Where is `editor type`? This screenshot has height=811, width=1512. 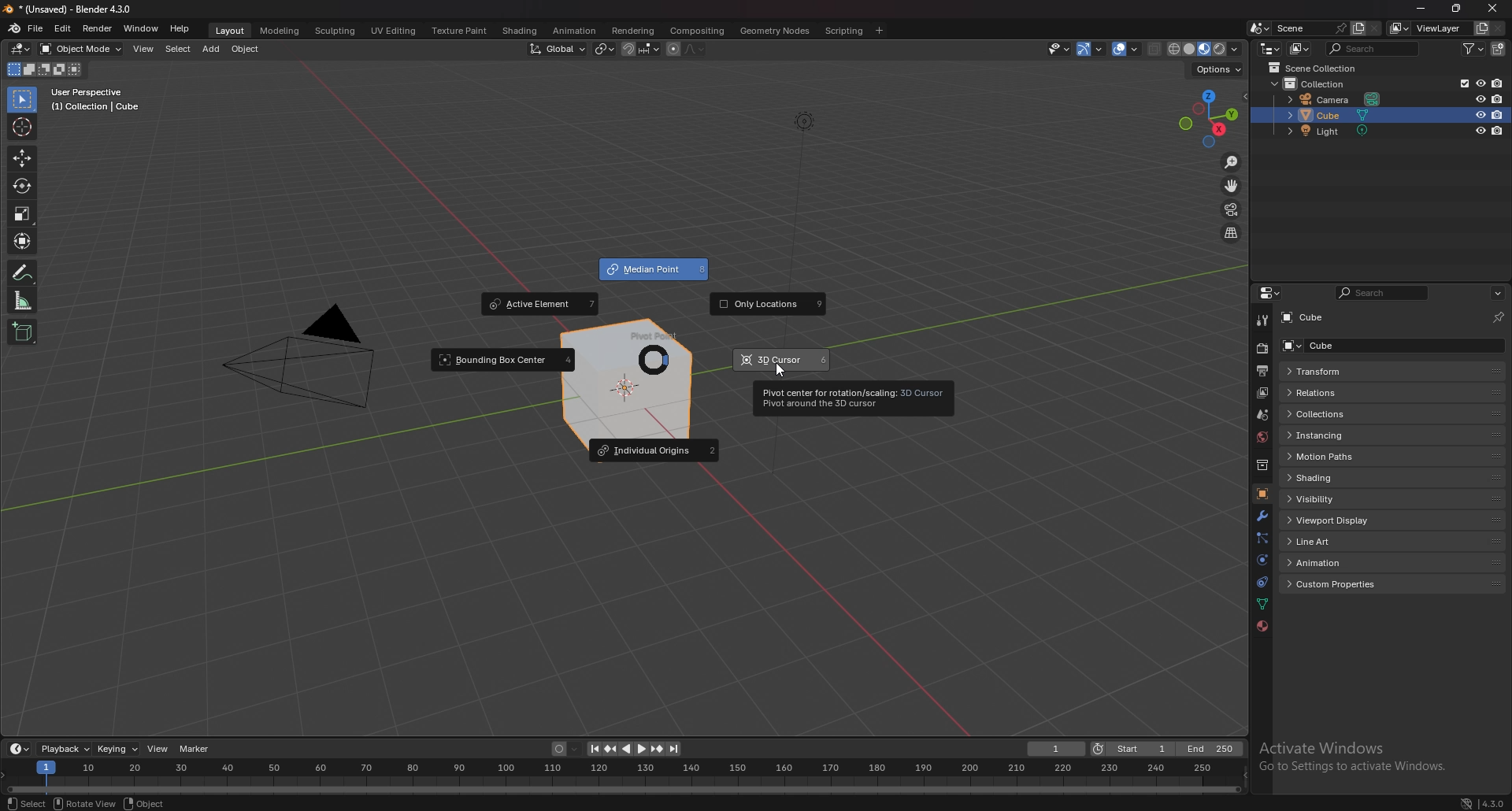 editor type is located at coordinates (20, 750).